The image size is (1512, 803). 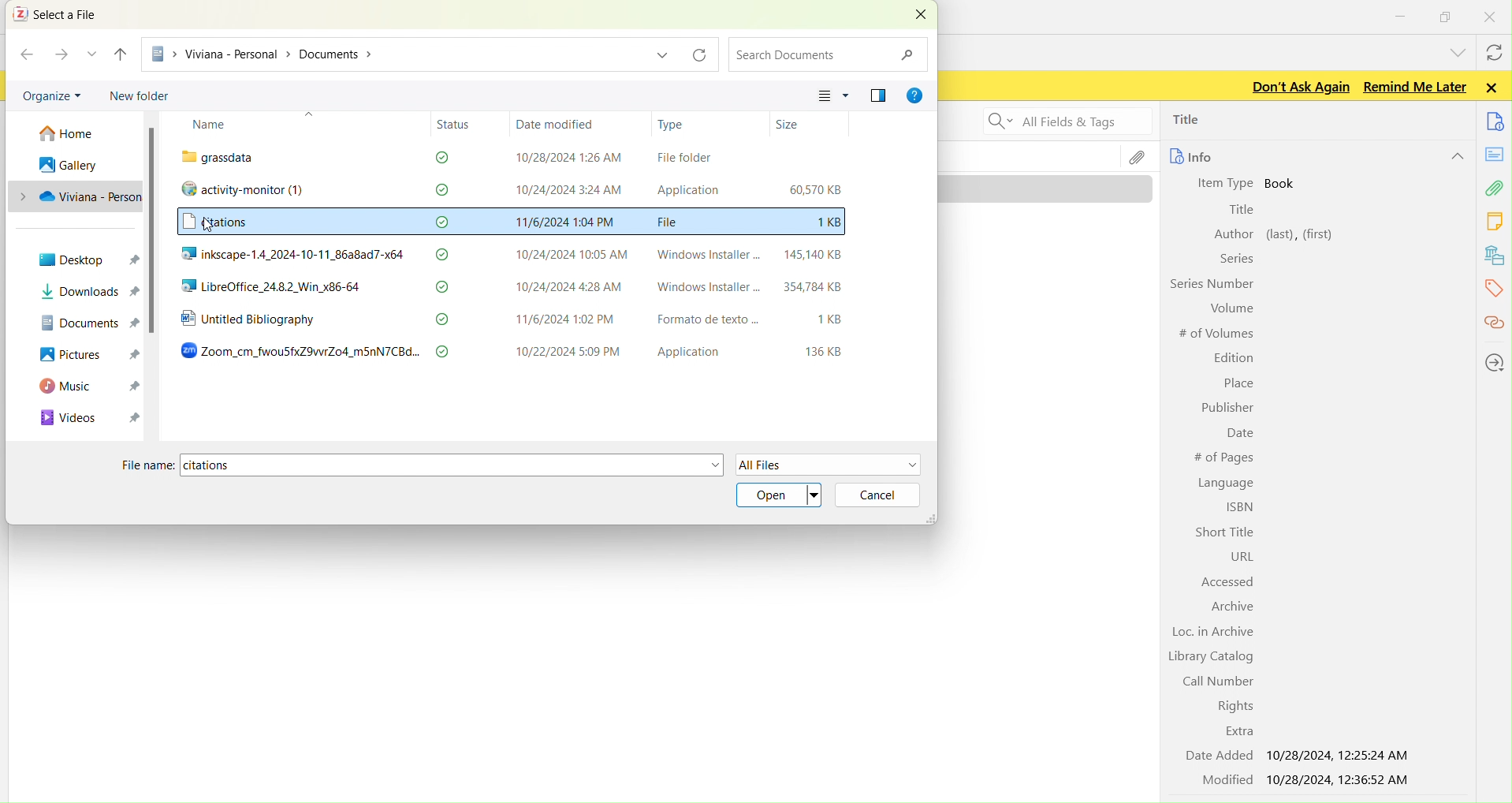 I want to click on Date, so click(x=1236, y=431).